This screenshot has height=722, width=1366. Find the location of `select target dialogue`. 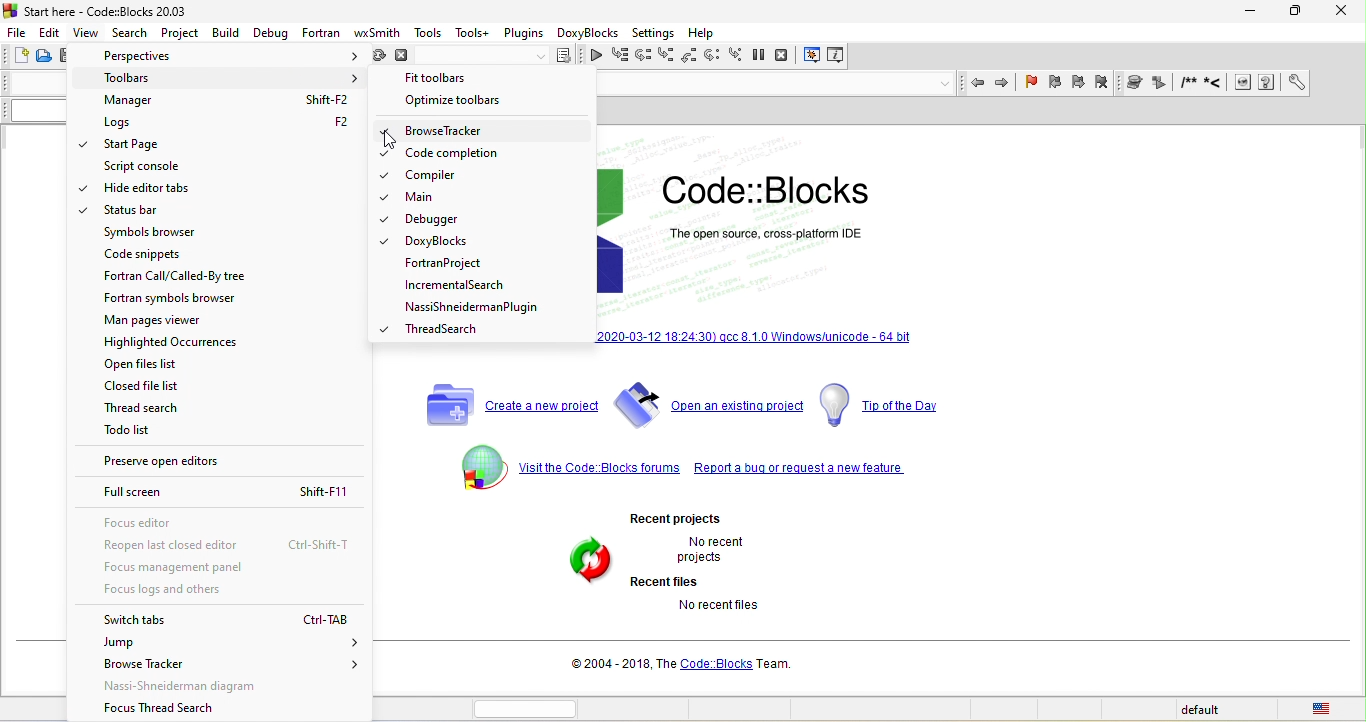

select target dialogue is located at coordinates (503, 59).